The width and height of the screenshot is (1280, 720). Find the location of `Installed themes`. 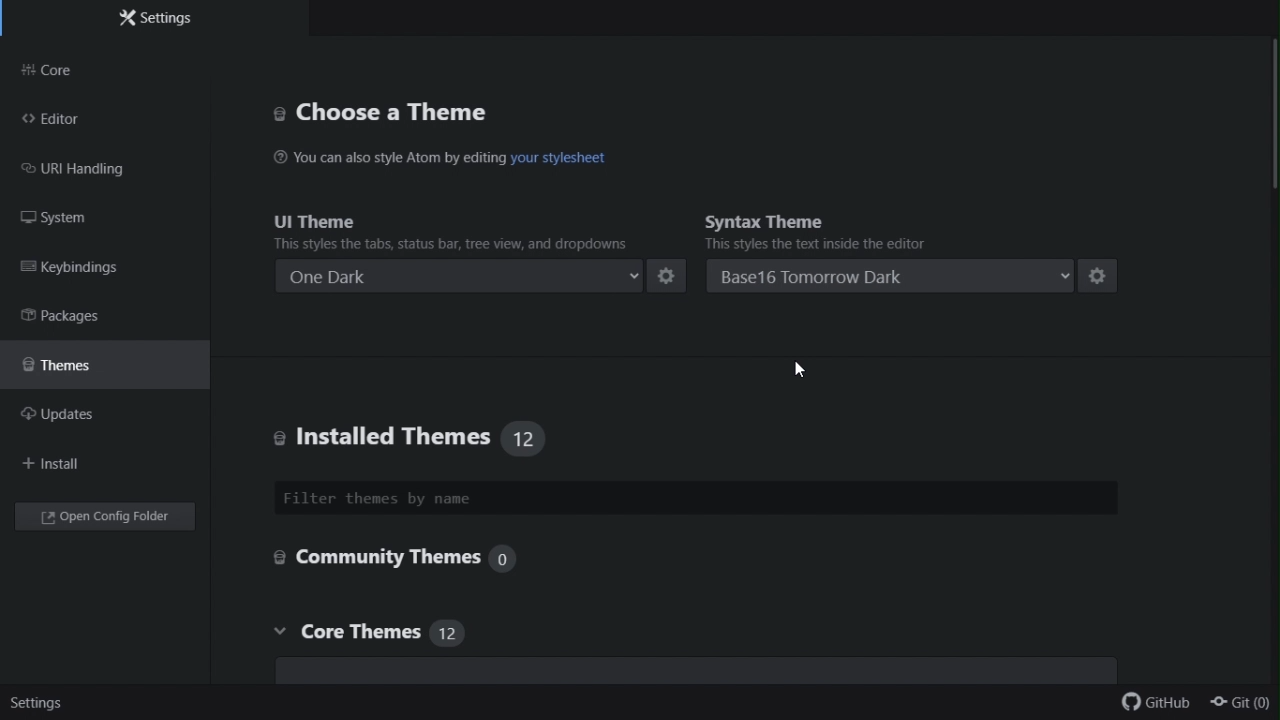

Installed themes is located at coordinates (428, 434).